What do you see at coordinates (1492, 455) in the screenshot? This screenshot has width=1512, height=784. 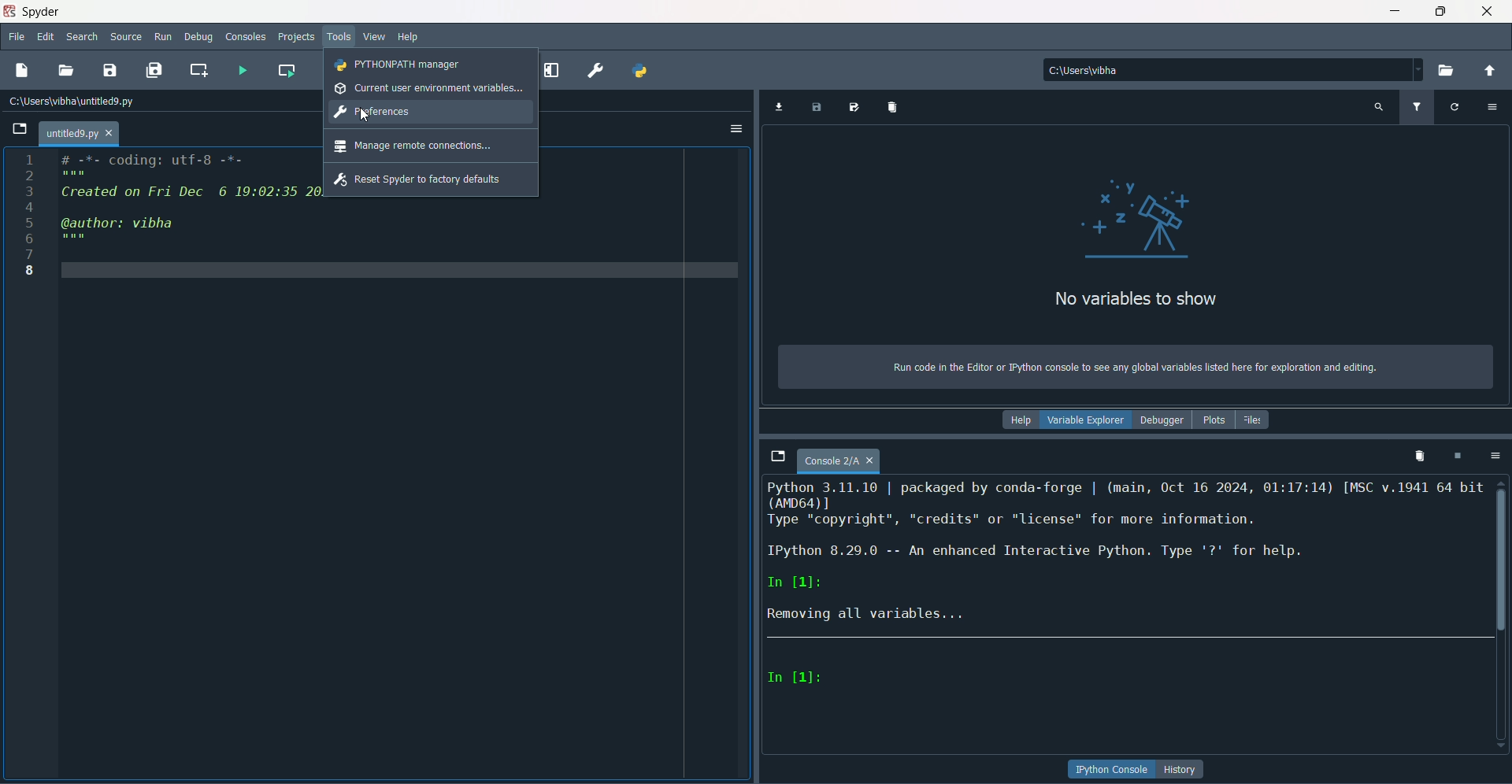 I see `options` at bounding box center [1492, 455].